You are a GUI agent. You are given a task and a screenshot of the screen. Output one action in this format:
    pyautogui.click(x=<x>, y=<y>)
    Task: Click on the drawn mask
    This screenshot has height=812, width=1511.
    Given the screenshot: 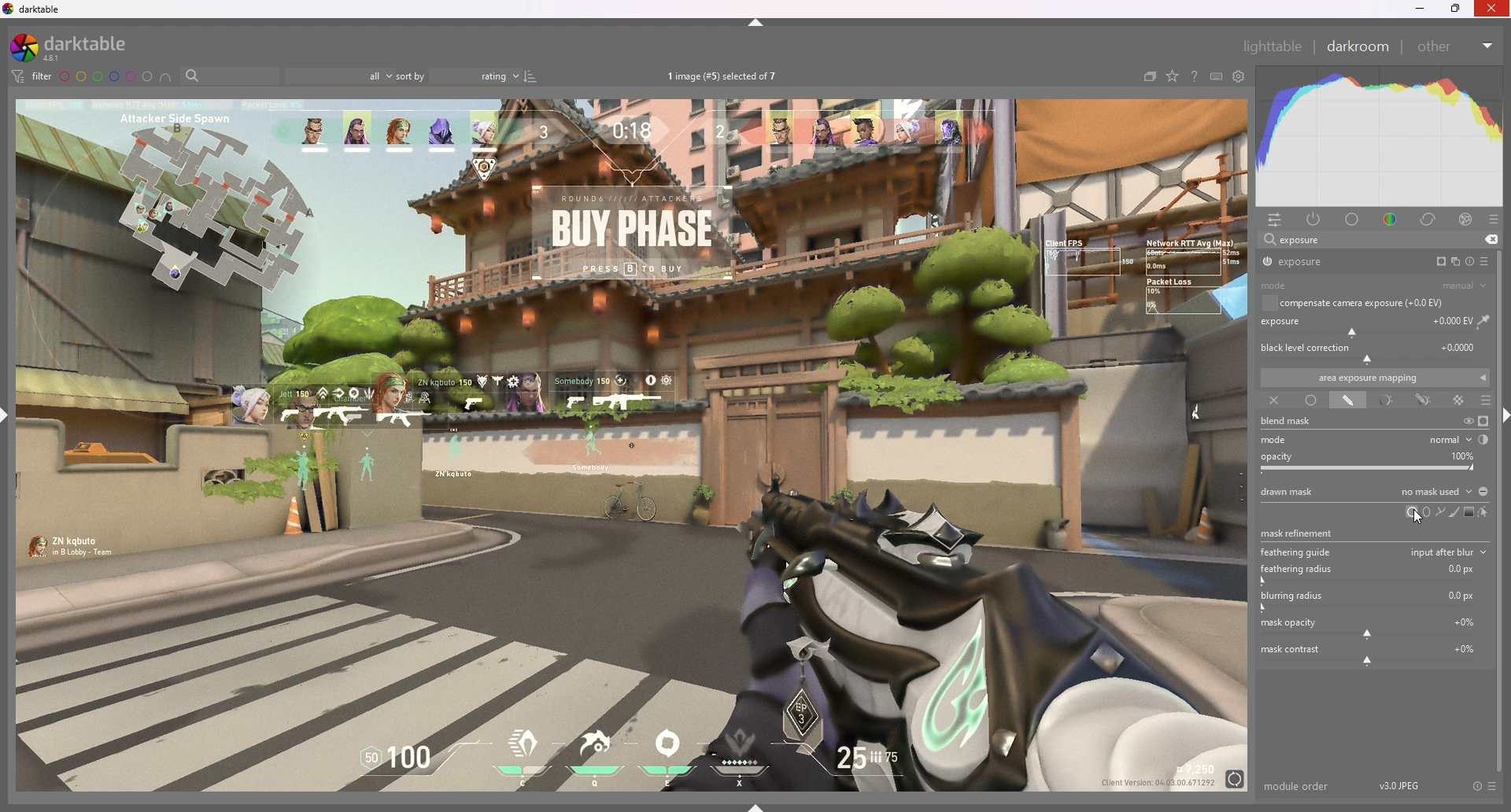 What is the action you would take?
    pyautogui.click(x=1374, y=491)
    